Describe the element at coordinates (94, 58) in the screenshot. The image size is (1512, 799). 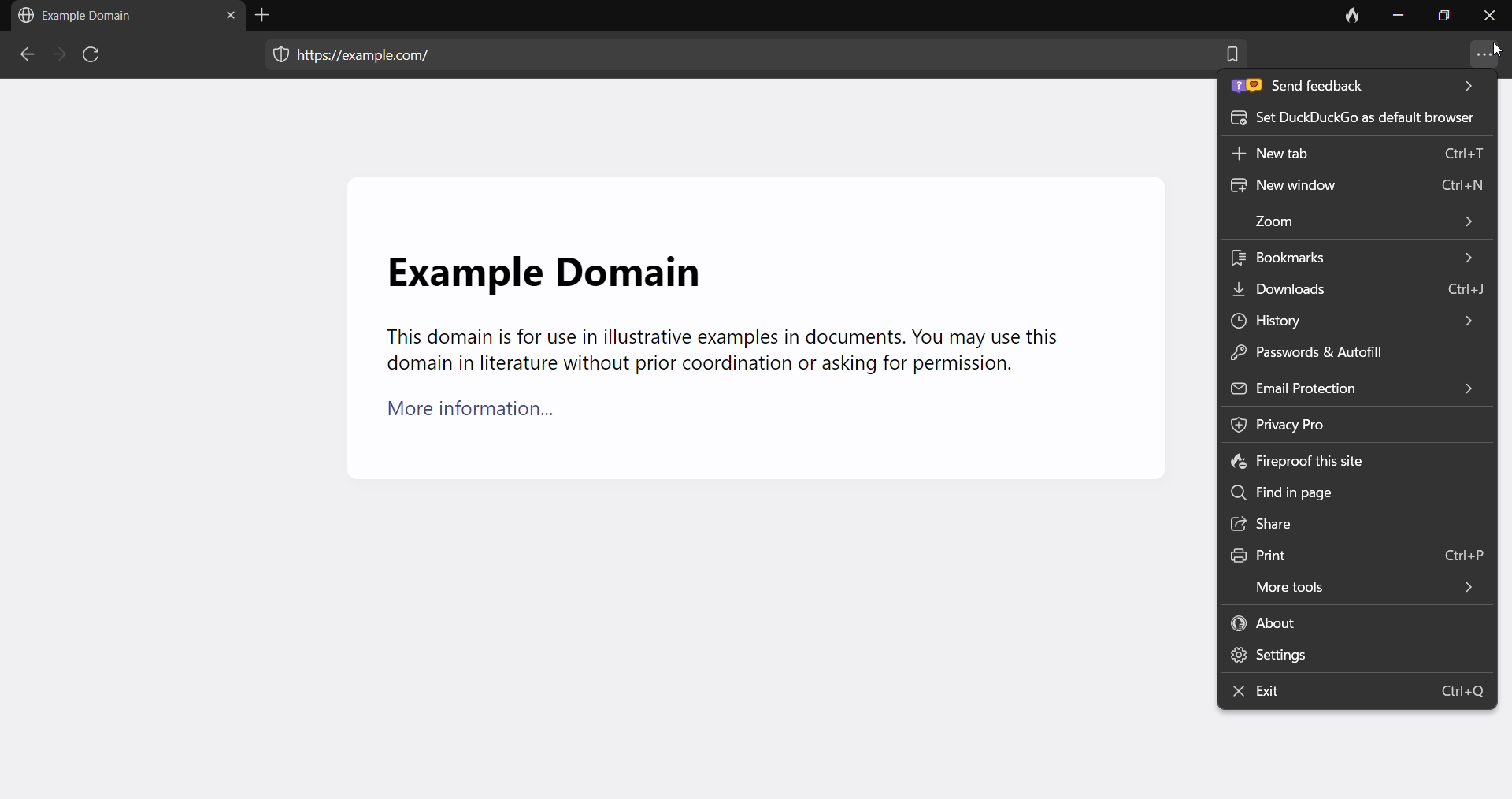
I see `reload` at that location.